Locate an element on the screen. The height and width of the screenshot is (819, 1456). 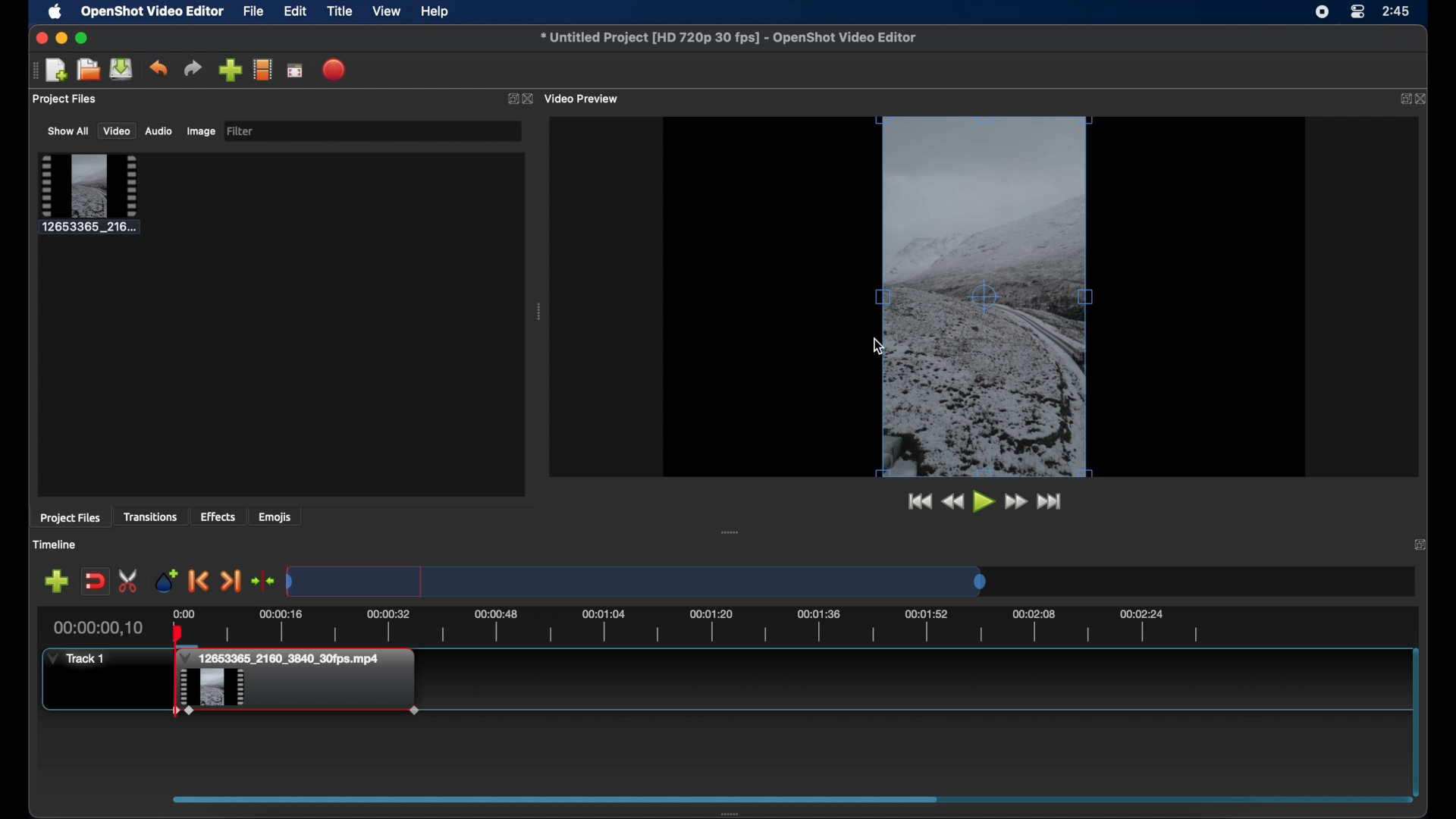
drag handle is located at coordinates (539, 312).